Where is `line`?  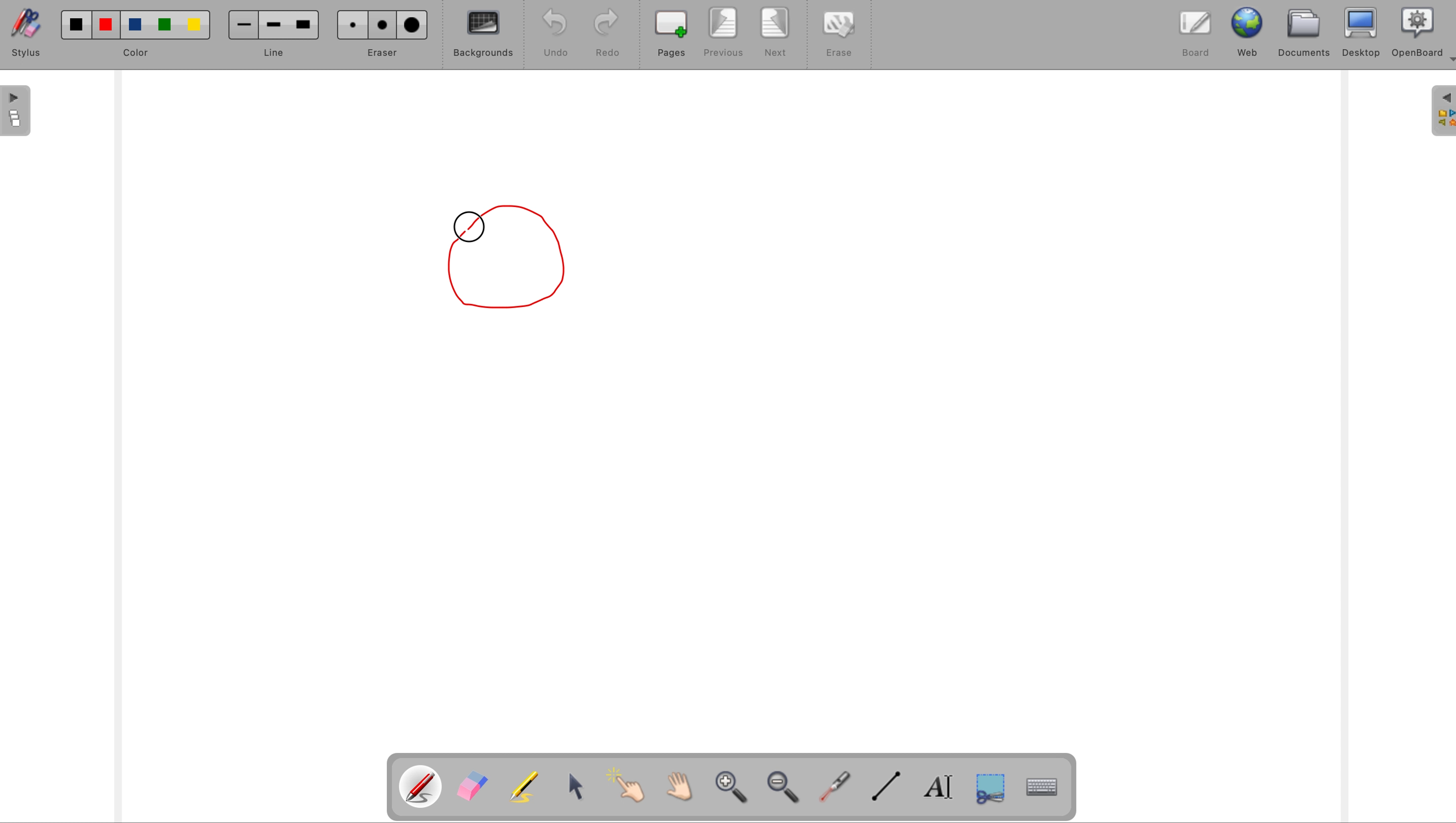
line is located at coordinates (271, 35).